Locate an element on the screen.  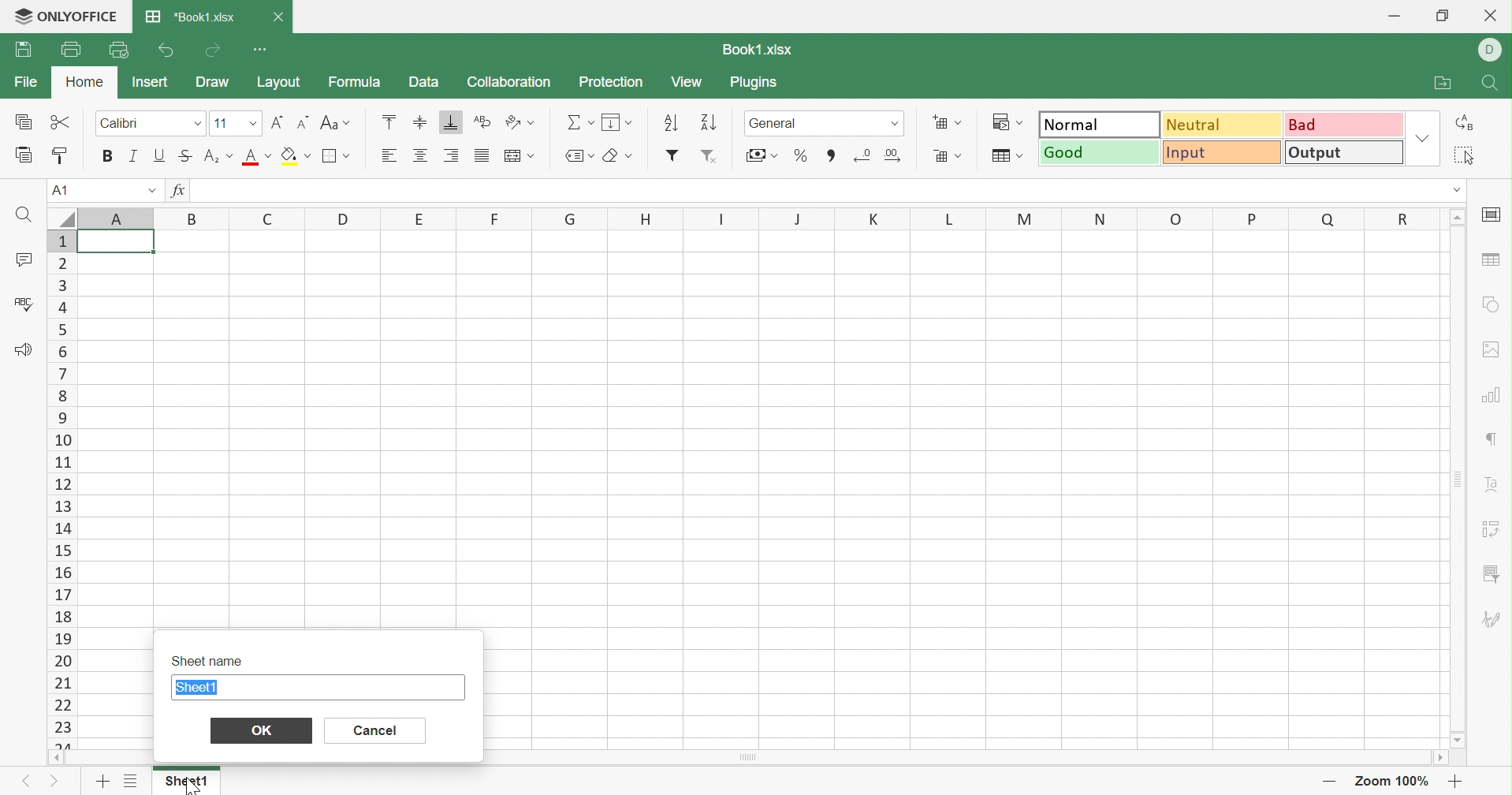
fx is located at coordinates (178, 189).